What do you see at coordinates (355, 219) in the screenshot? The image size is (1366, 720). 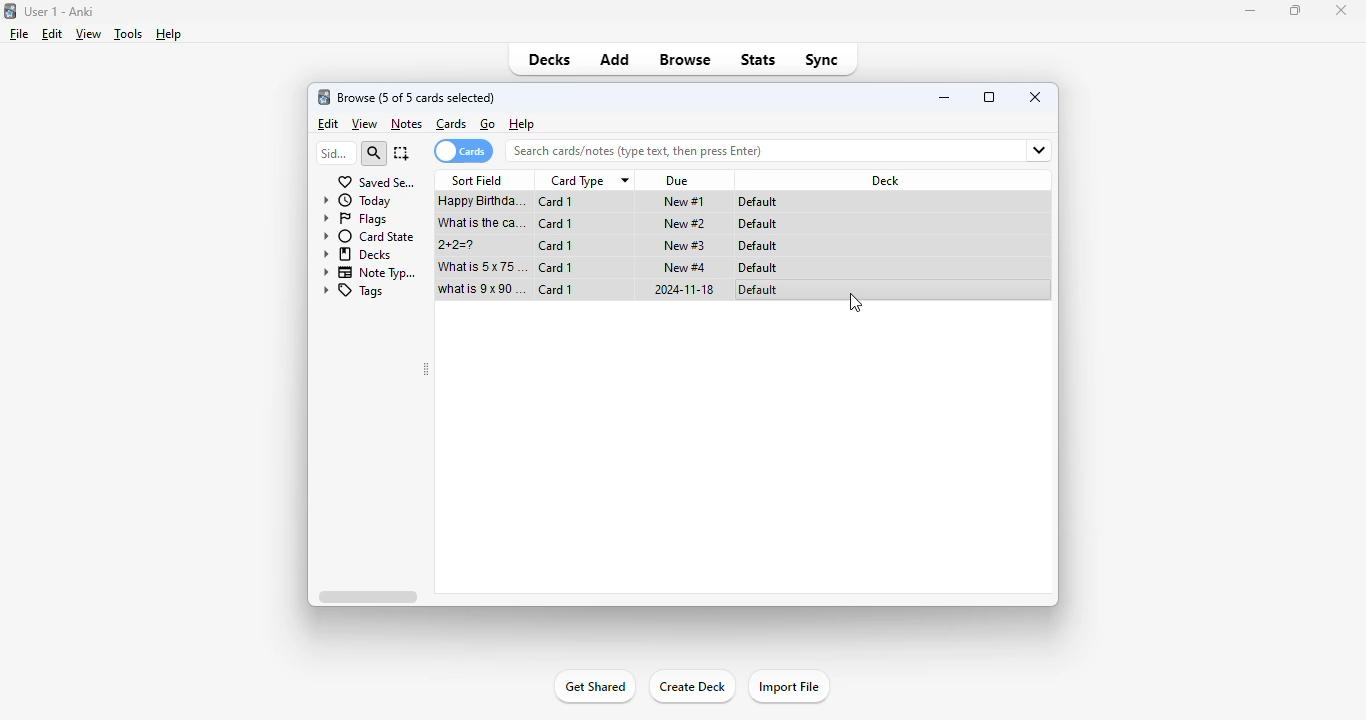 I see `flags` at bounding box center [355, 219].